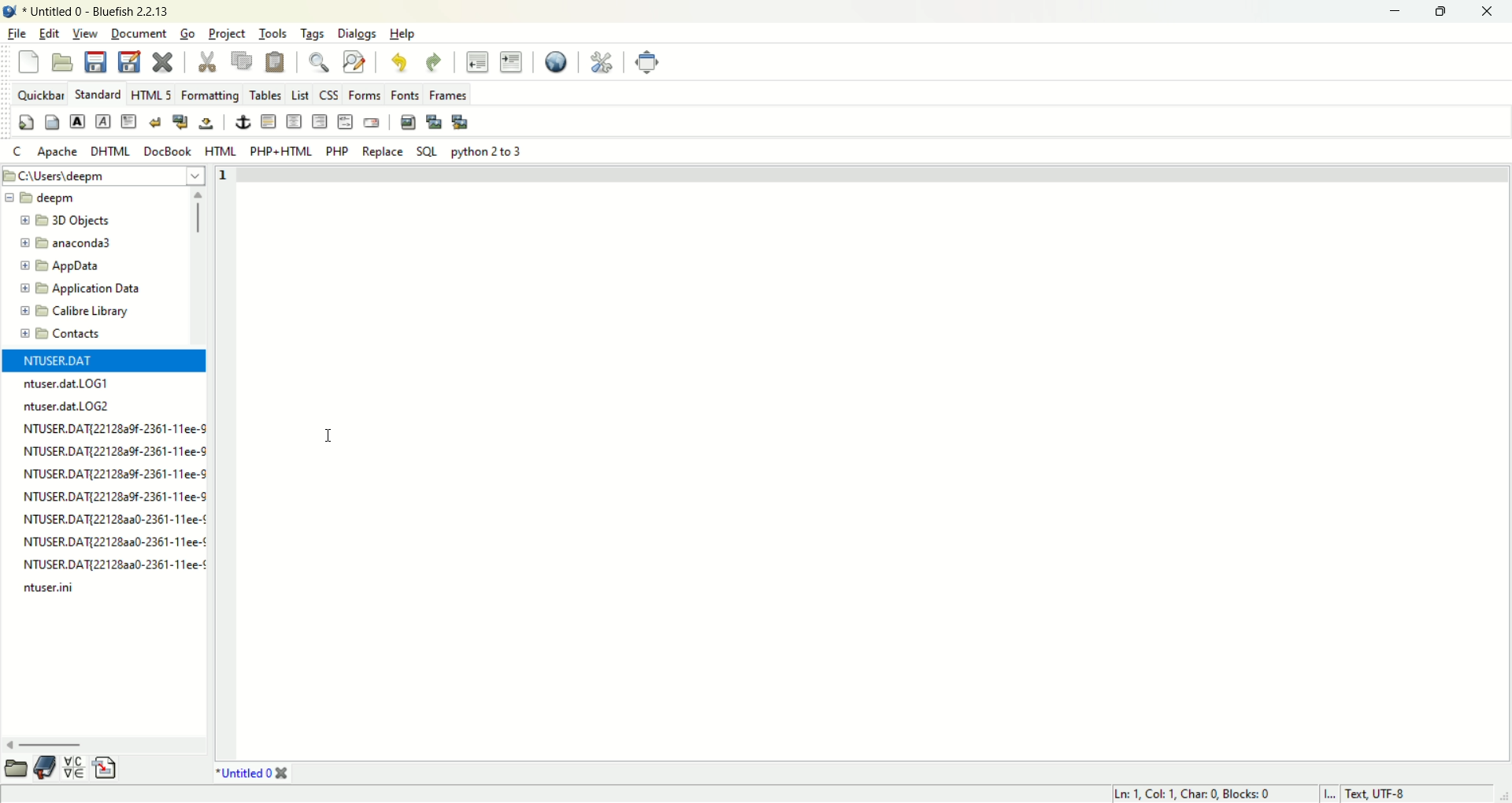 The height and width of the screenshot is (803, 1512). I want to click on NTUSER.DATI?22128a0f-2361-11ee-C, so click(113, 472).